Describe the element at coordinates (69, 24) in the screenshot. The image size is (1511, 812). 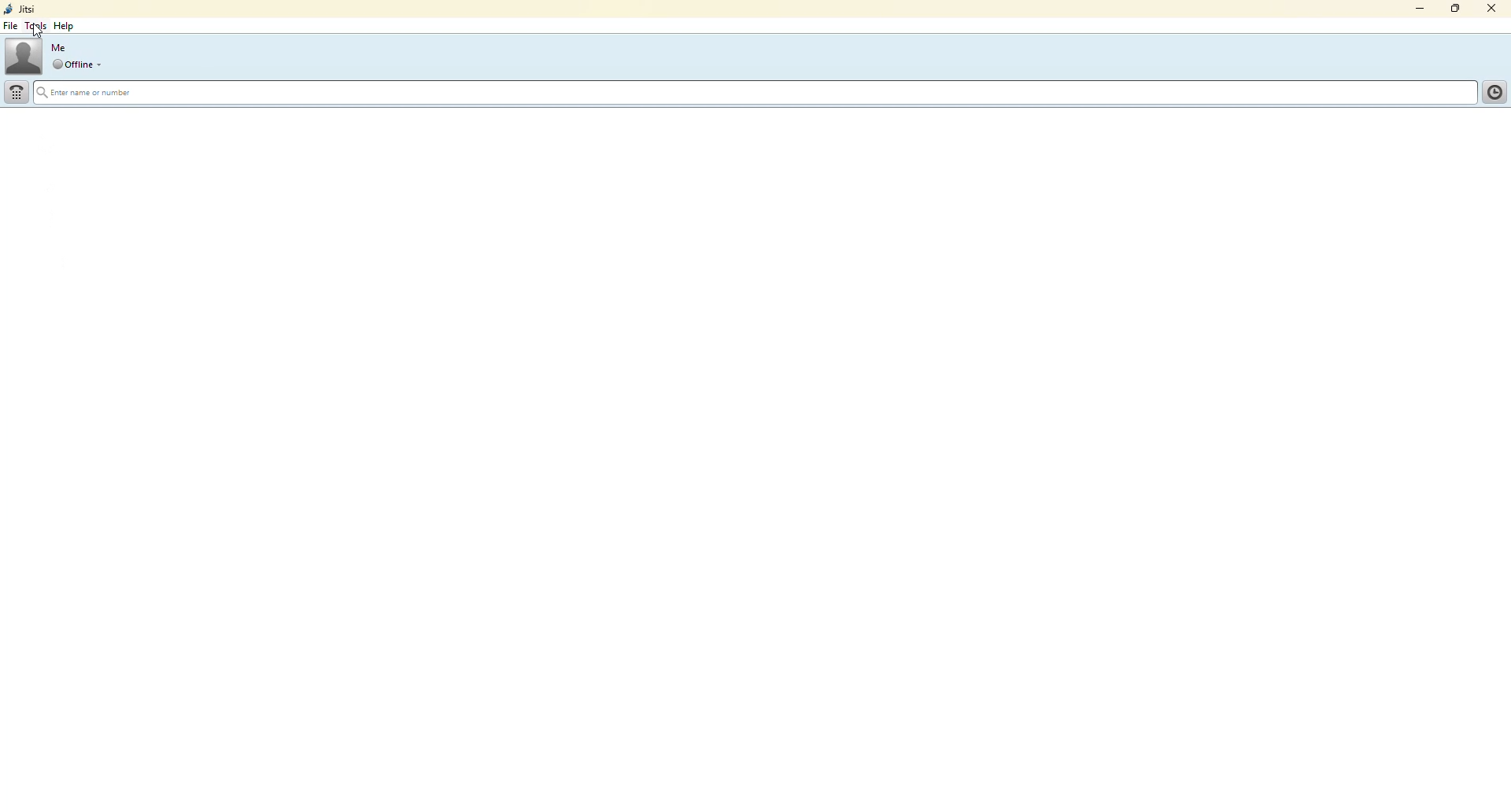
I see `help` at that location.